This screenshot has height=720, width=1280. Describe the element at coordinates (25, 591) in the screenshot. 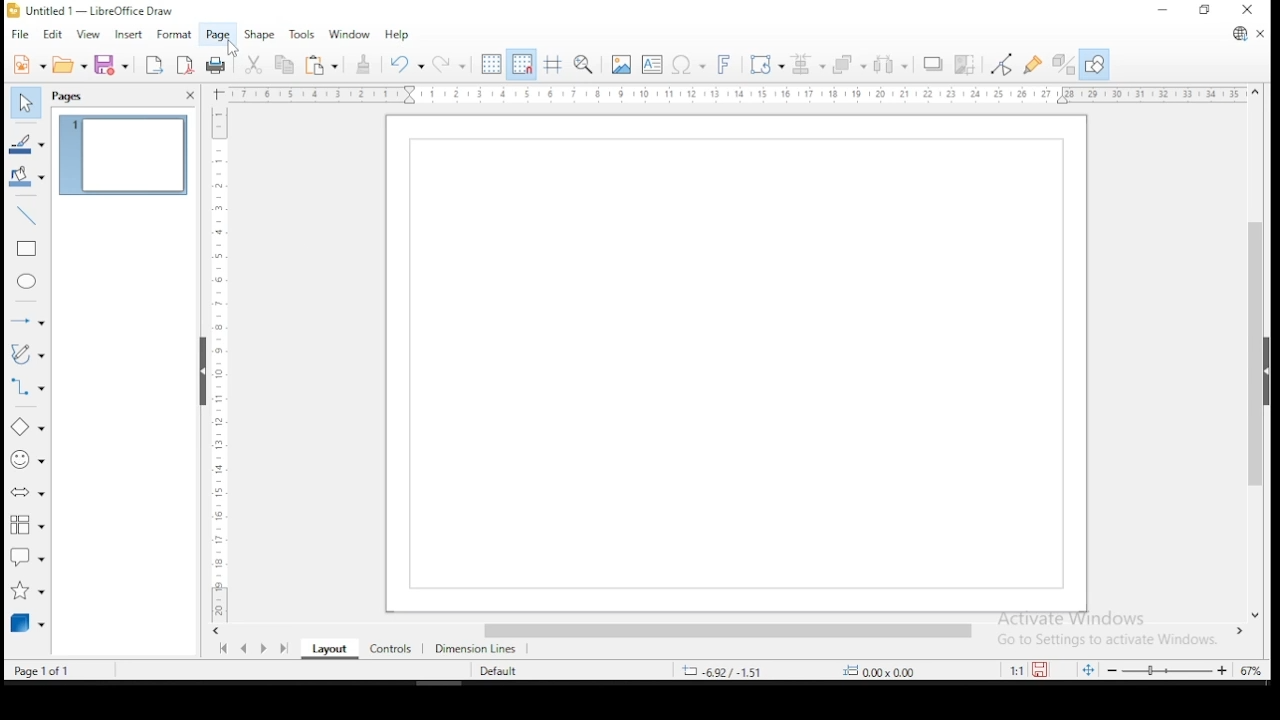

I see `stars and banners` at that location.